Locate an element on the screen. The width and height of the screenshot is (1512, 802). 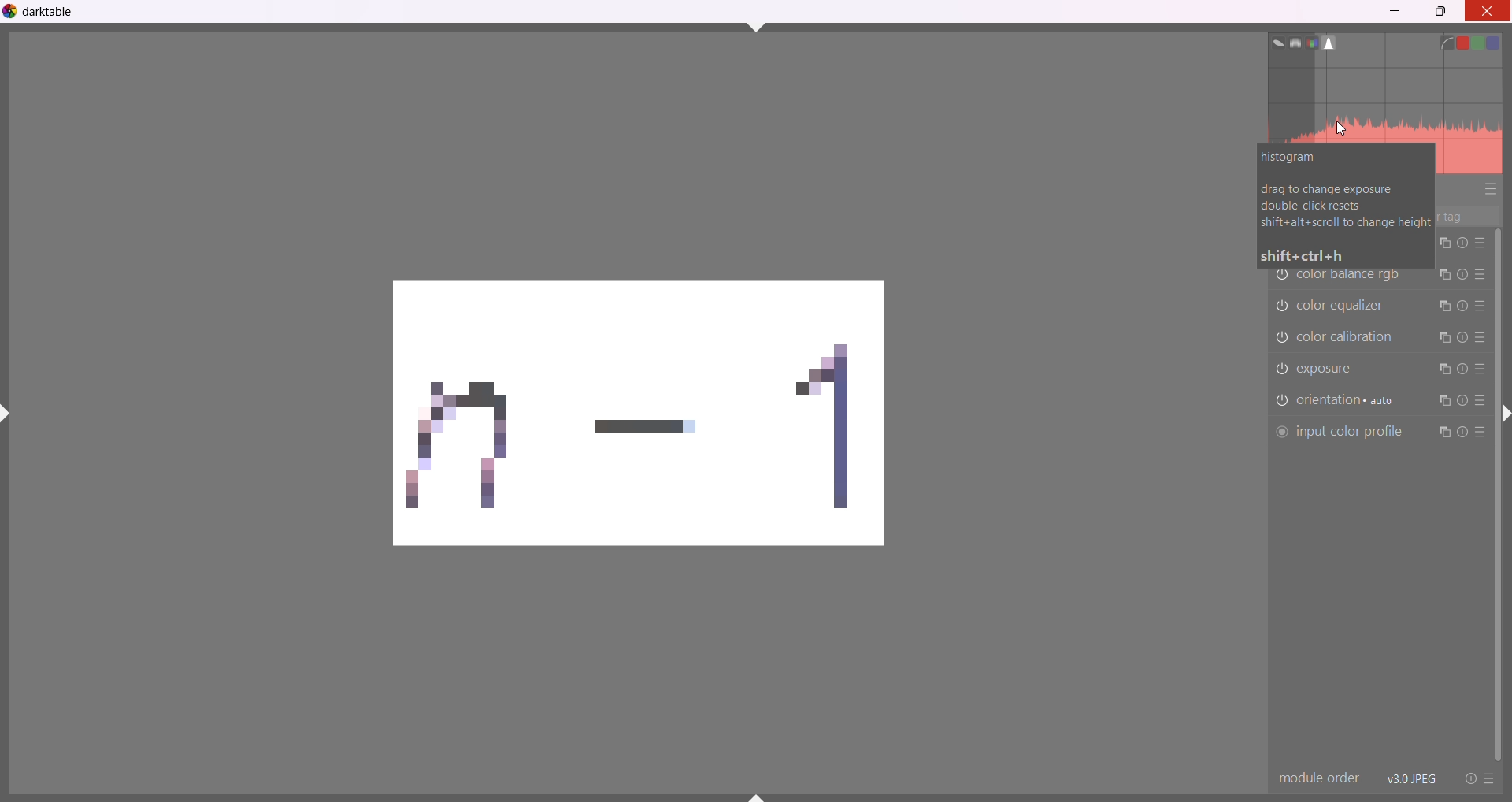
reset parameters is located at coordinates (1462, 402).